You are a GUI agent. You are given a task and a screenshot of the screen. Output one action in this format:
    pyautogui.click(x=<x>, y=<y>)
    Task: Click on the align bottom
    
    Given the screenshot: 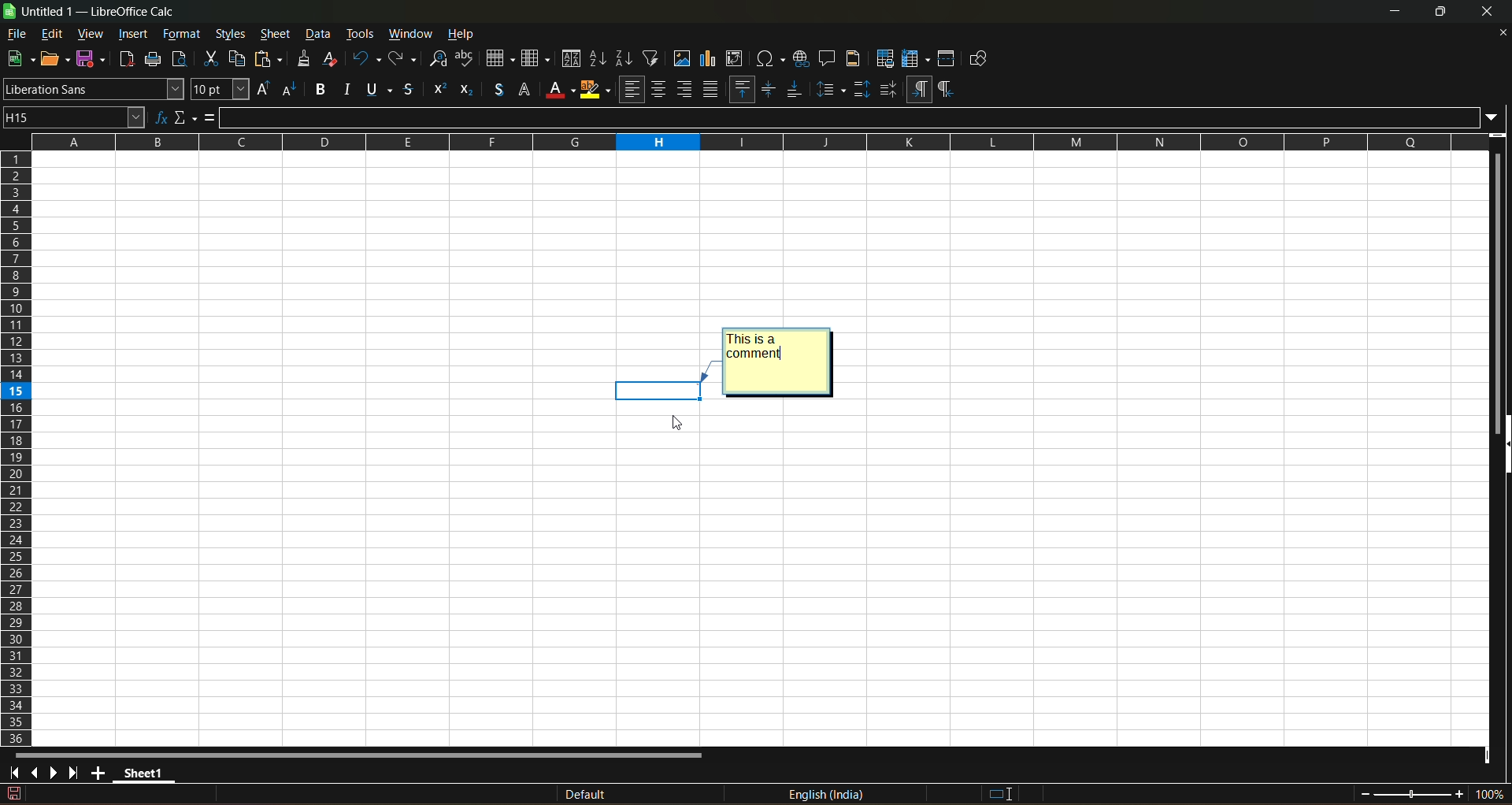 What is the action you would take?
    pyautogui.click(x=576, y=89)
    